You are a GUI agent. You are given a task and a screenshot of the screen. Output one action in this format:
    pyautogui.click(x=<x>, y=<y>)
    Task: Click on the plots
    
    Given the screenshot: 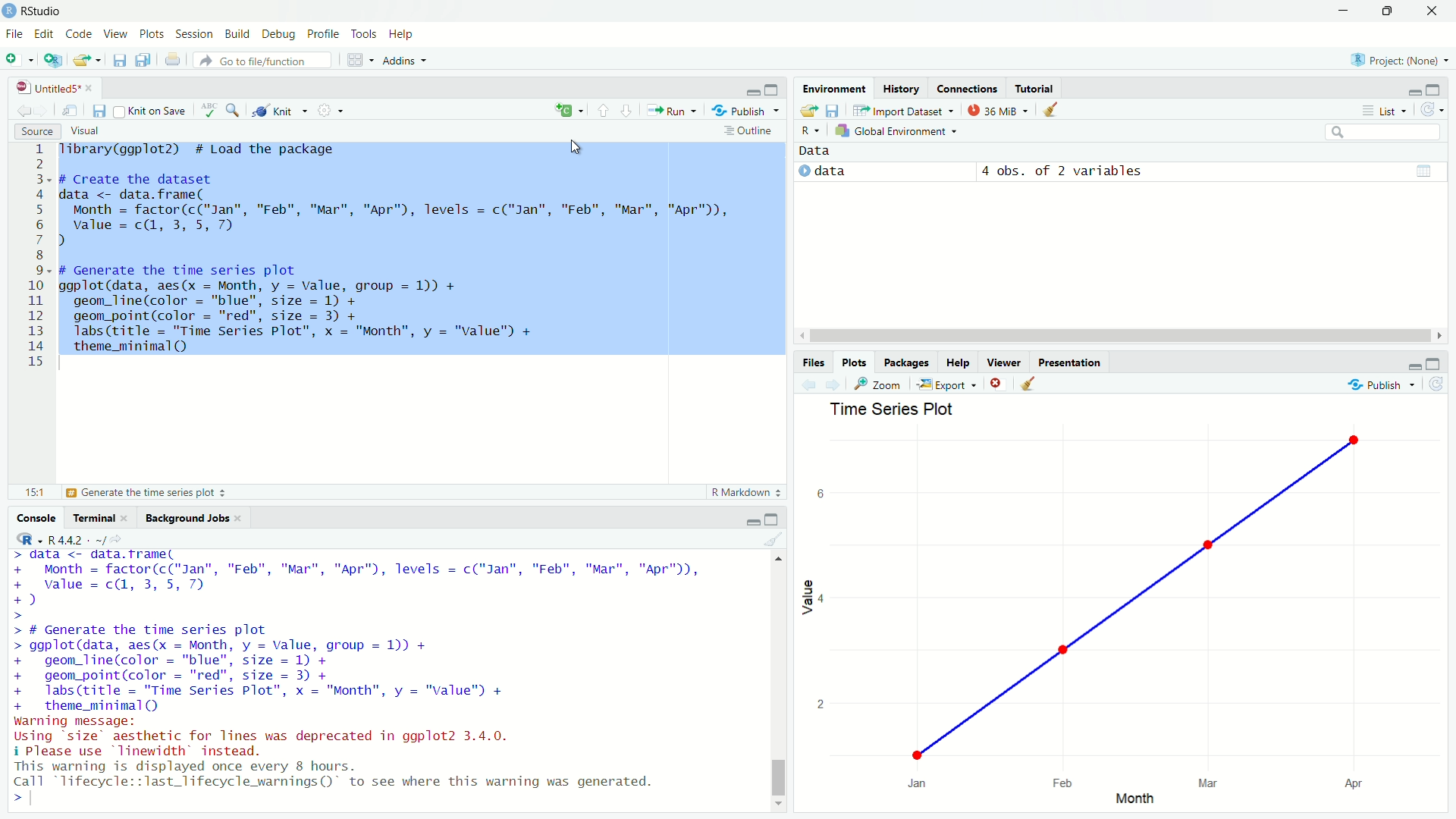 What is the action you would take?
    pyautogui.click(x=152, y=34)
    